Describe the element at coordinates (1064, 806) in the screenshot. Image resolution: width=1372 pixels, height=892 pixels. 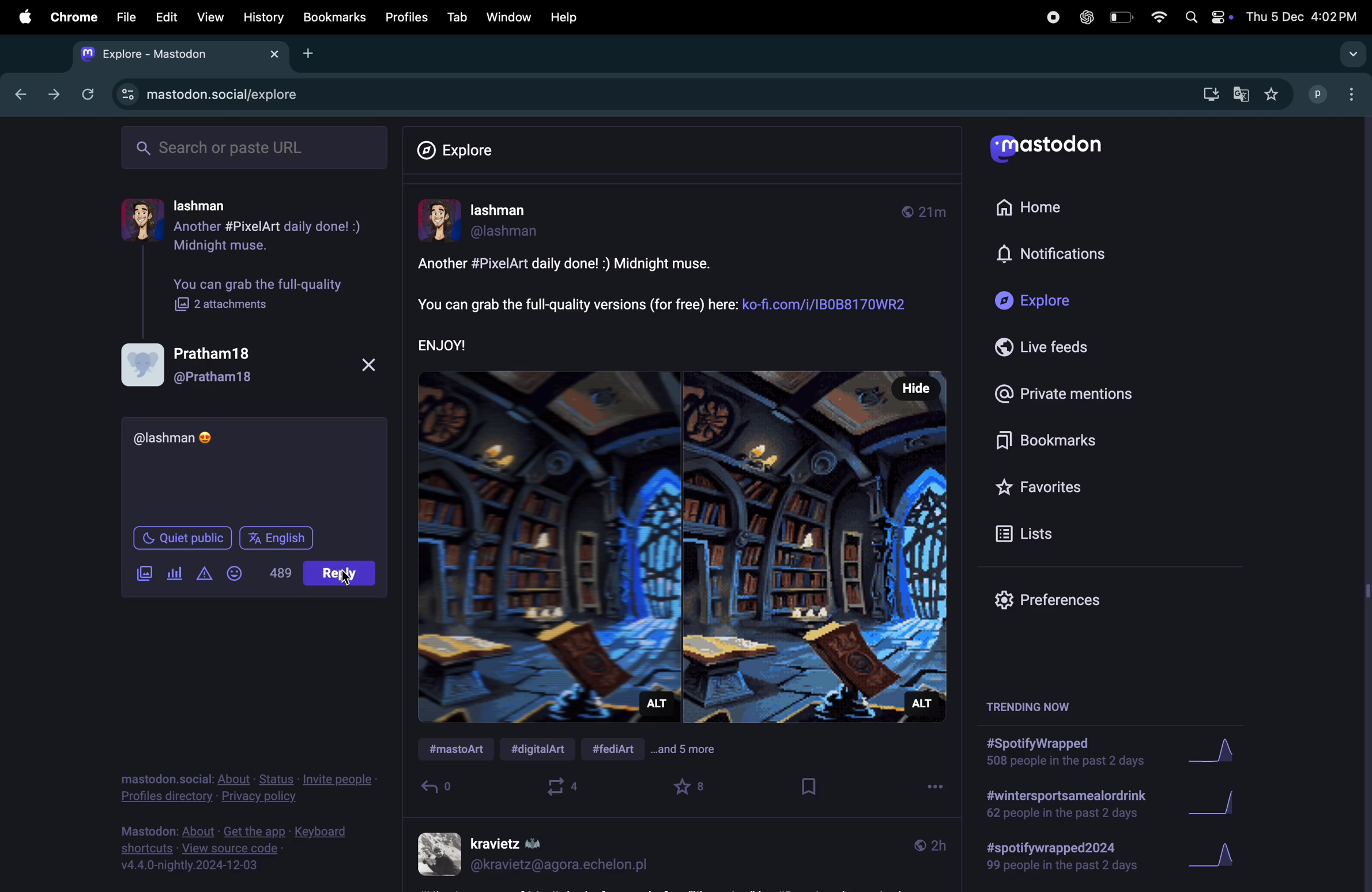
I see `wintersport drink` at that location.